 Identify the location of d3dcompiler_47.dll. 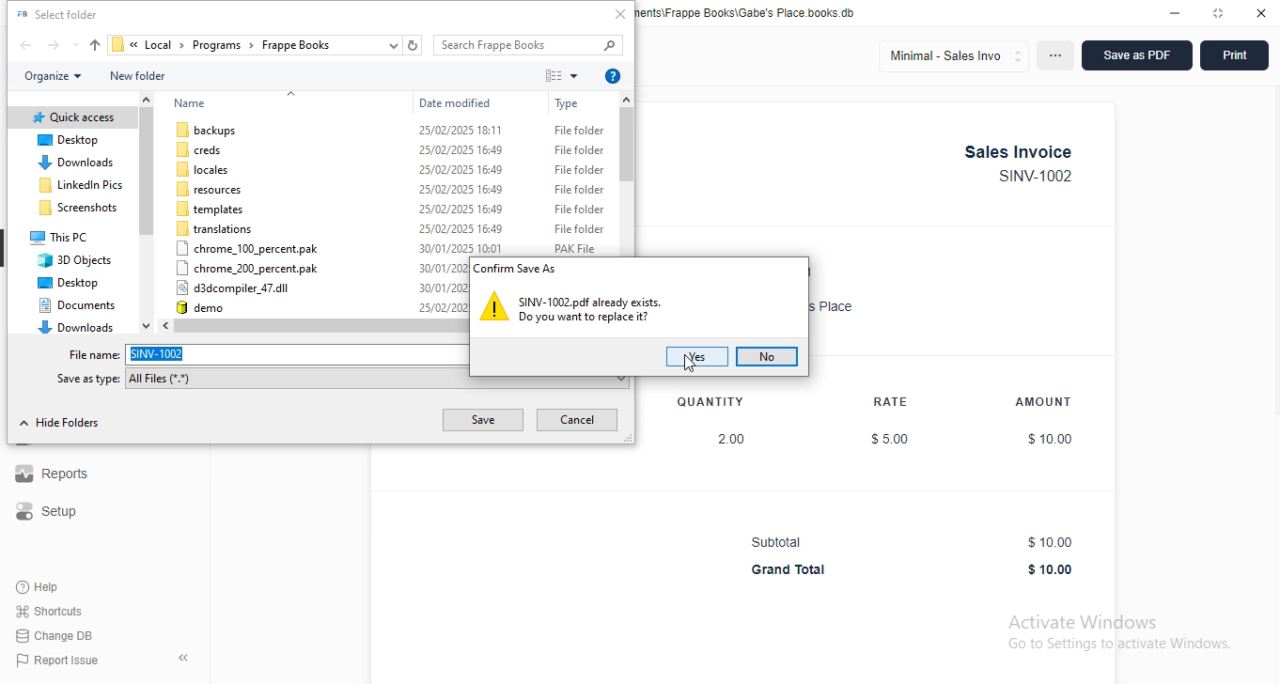
(233, 287).